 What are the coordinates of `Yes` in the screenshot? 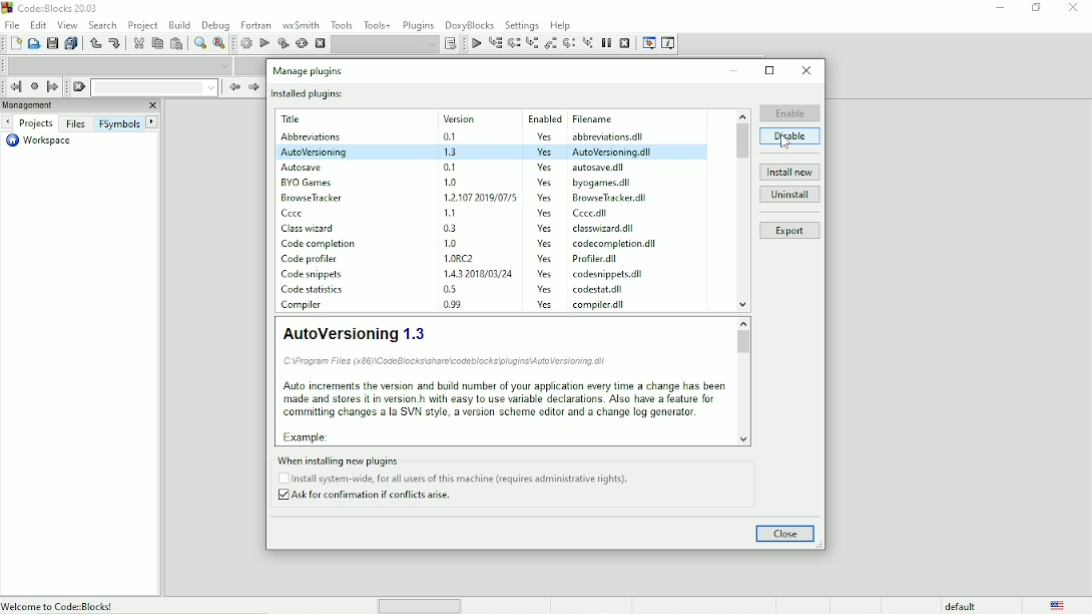 It's located at (548, 245).